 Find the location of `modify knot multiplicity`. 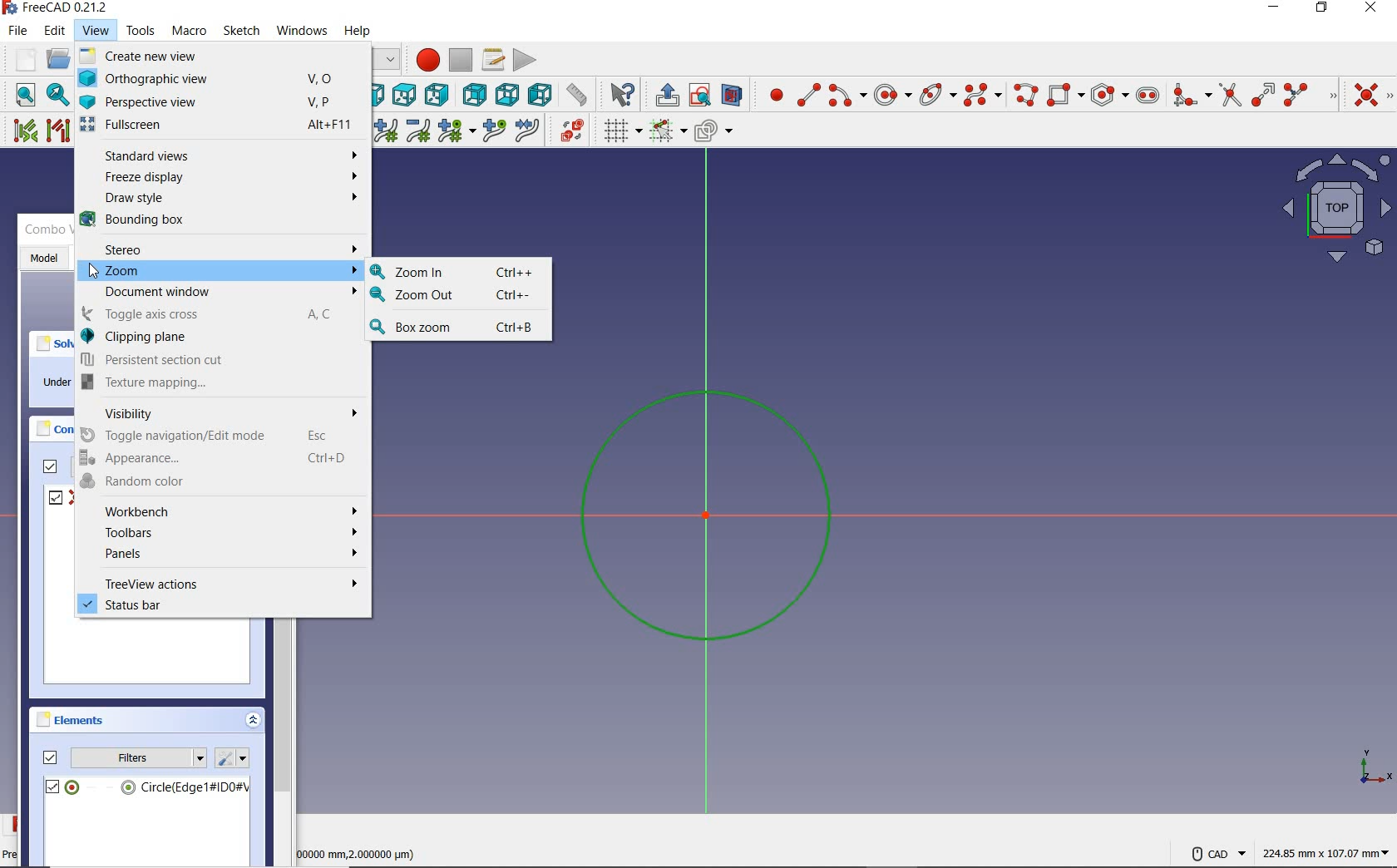

modify knot multiplicity is located at coordinates (455, 131).